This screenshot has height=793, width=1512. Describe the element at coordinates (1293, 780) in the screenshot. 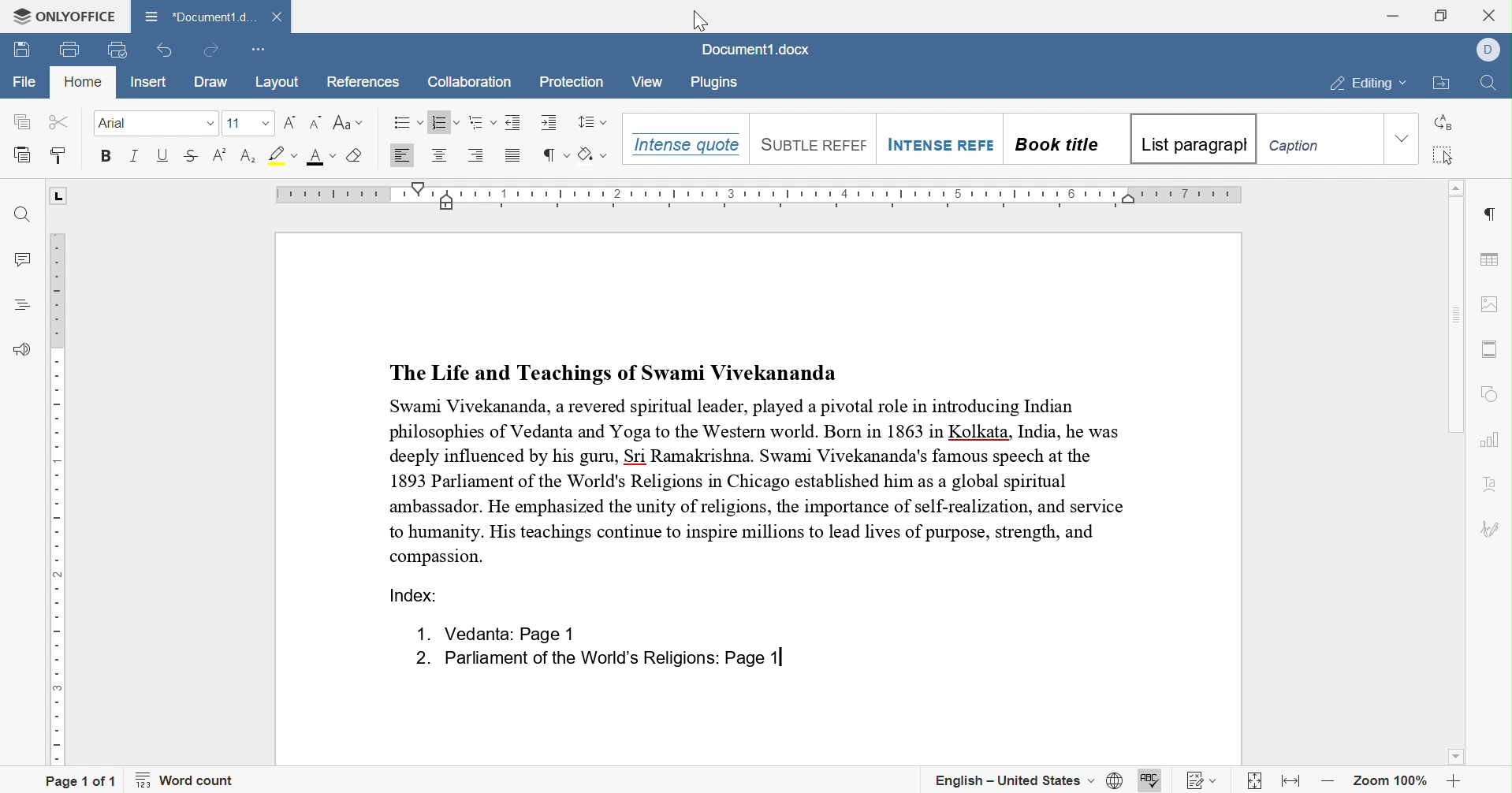

I see `fit to page` at that location.